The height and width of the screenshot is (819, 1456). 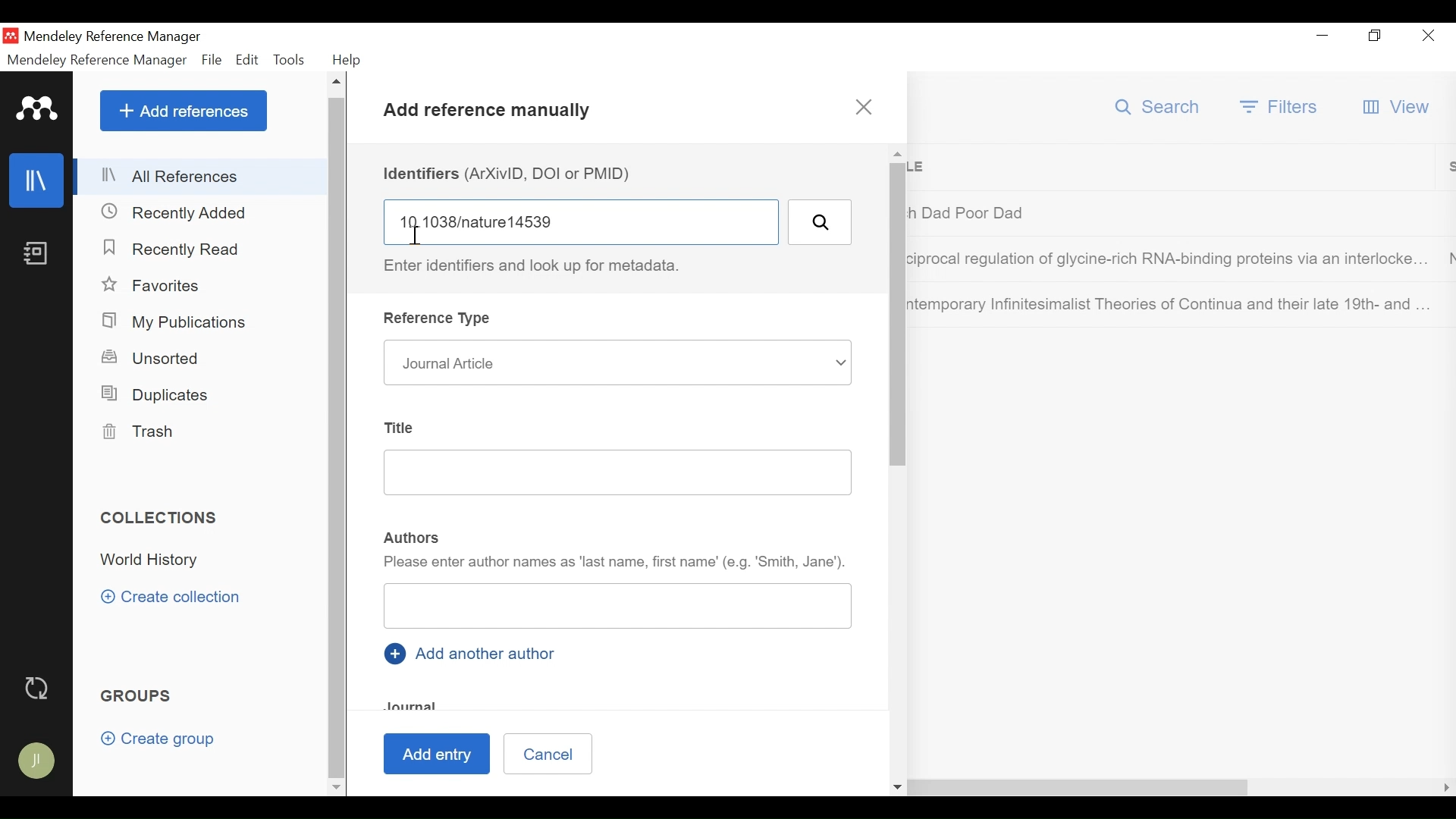 What do you see at coordinates (338, 83) in the screenshot?
I see `Scroll up` at bounding box center [338, 83].